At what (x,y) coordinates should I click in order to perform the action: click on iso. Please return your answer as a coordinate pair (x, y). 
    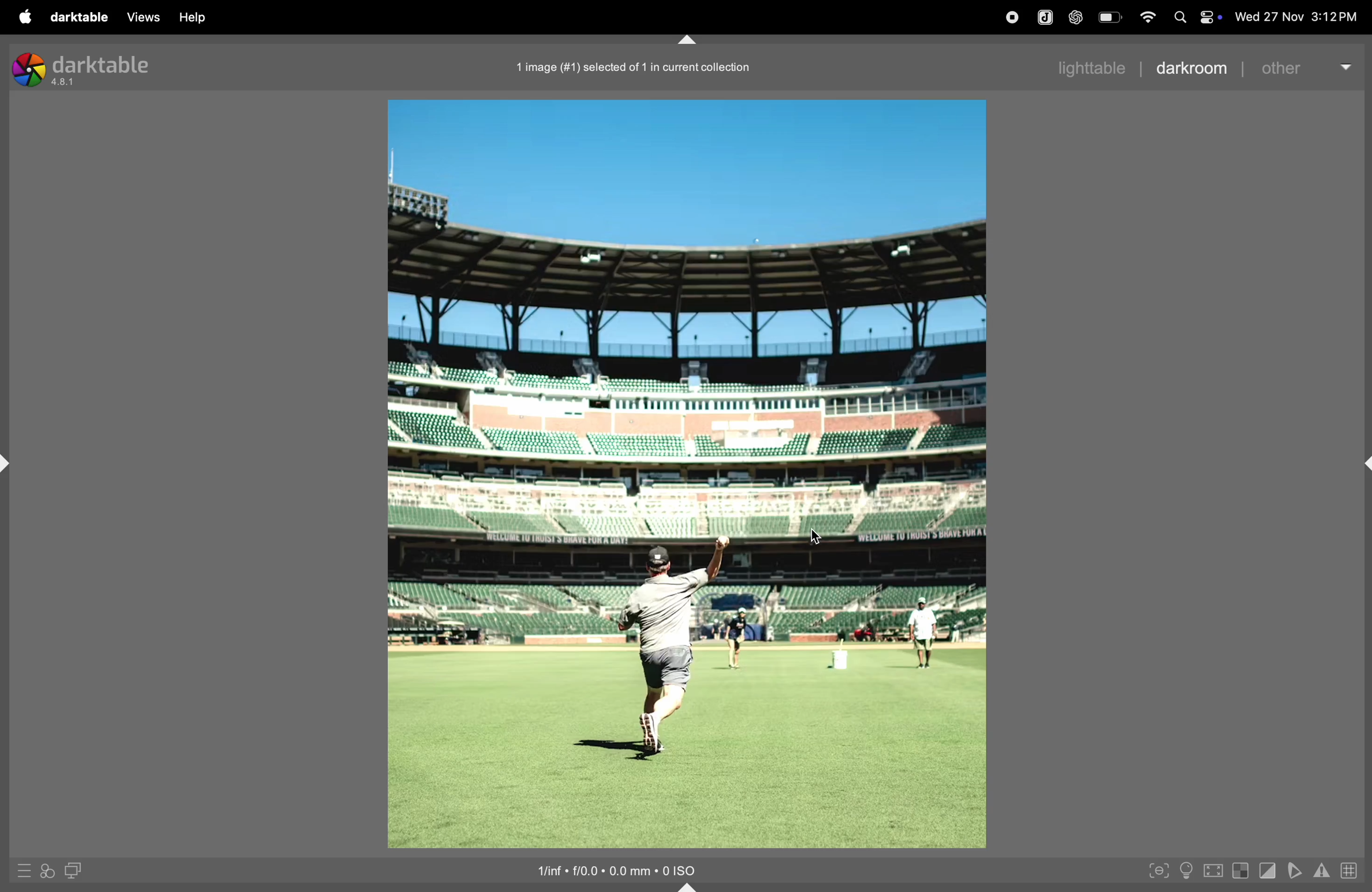
    Looking at the image, I should click on (624, 870).